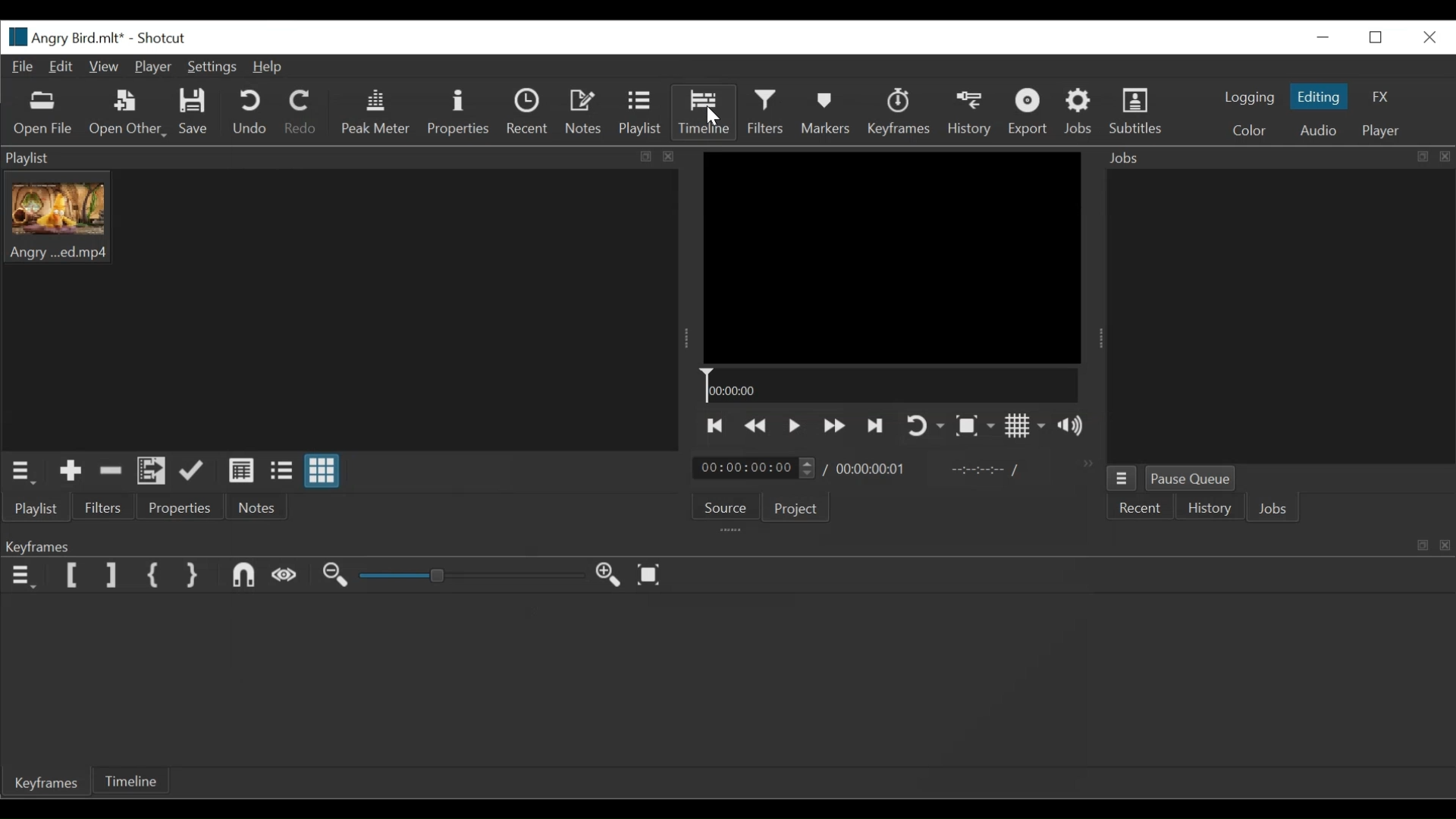 The image size is (1456, 819). Describe the element at coordinates (527, 111) in the screenshot. I see `Recent` at that location.